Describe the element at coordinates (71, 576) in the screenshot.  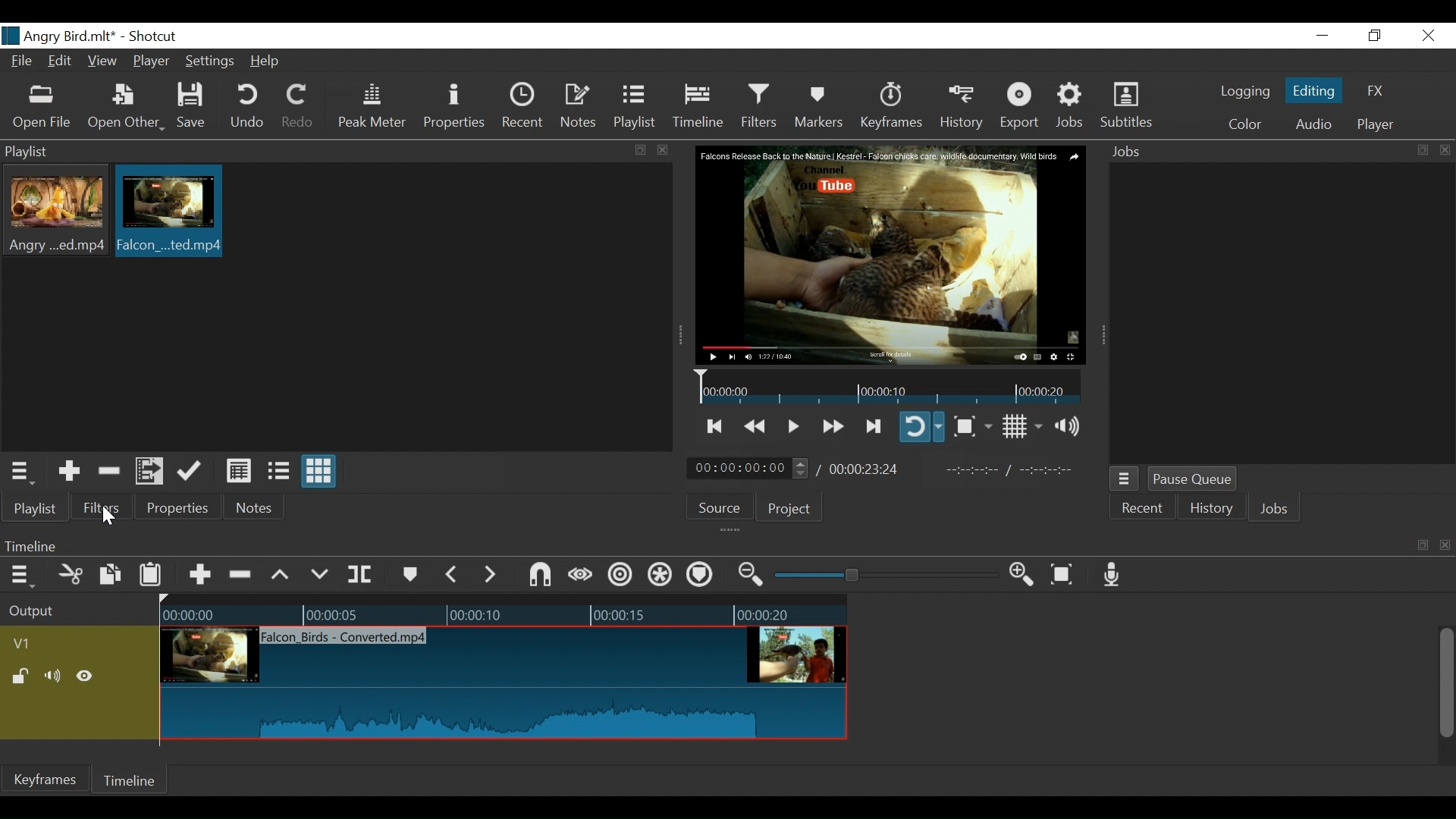
I see `Cut` at that location.